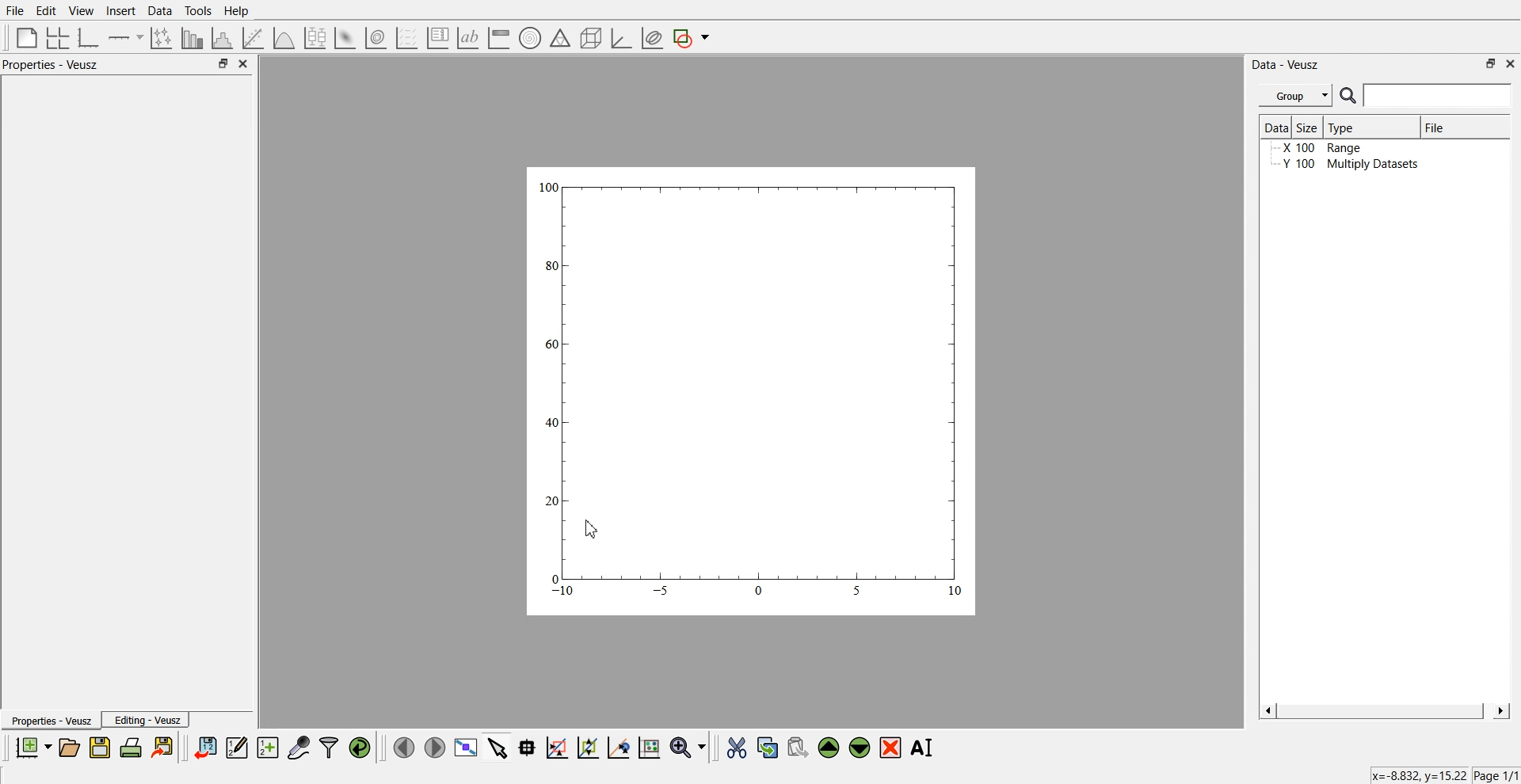  I want to click on Page 1/1, so click(1497, 776).